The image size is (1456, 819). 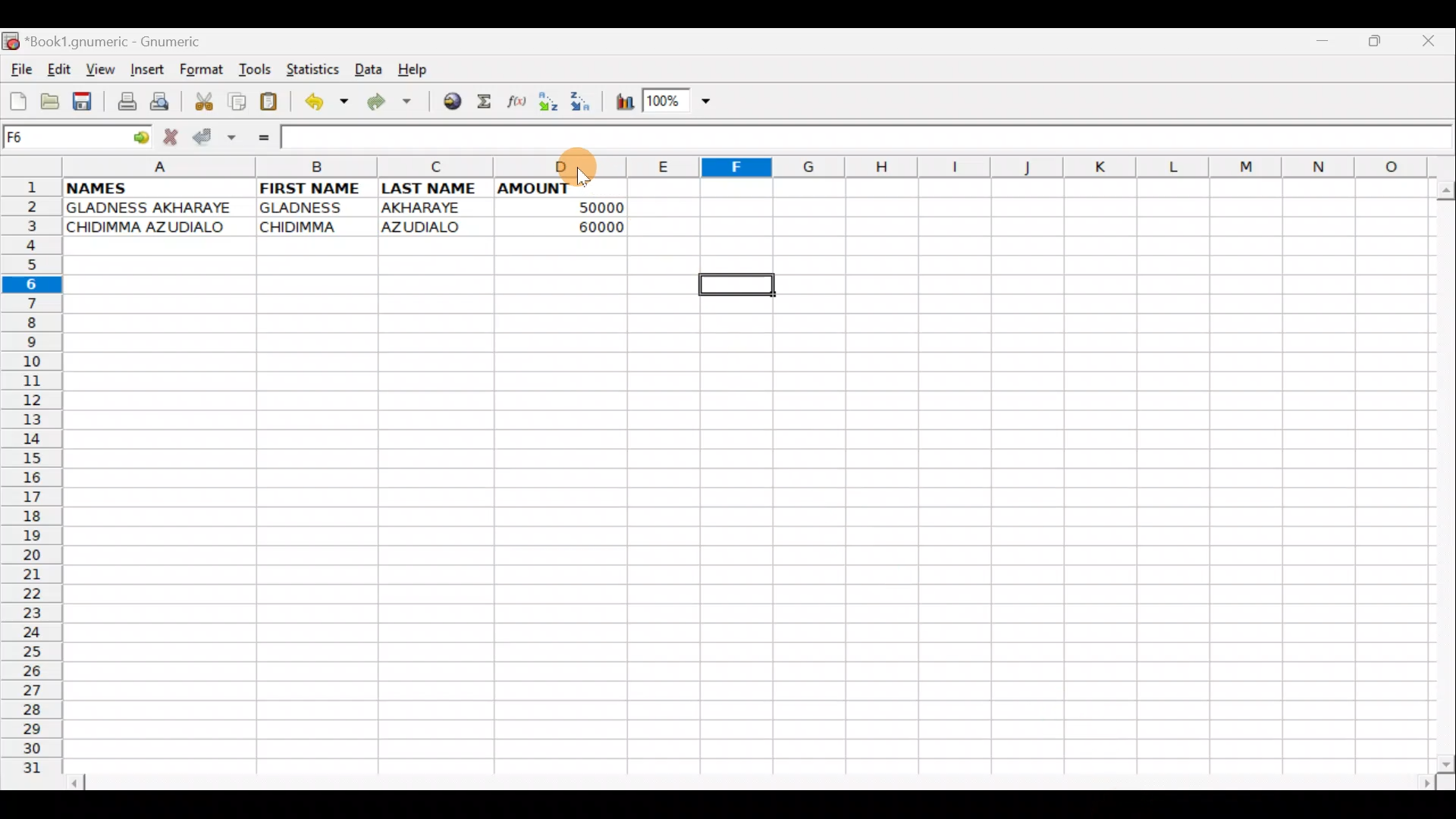 I want to click on Insert Chart, so click(x=619, y=102).